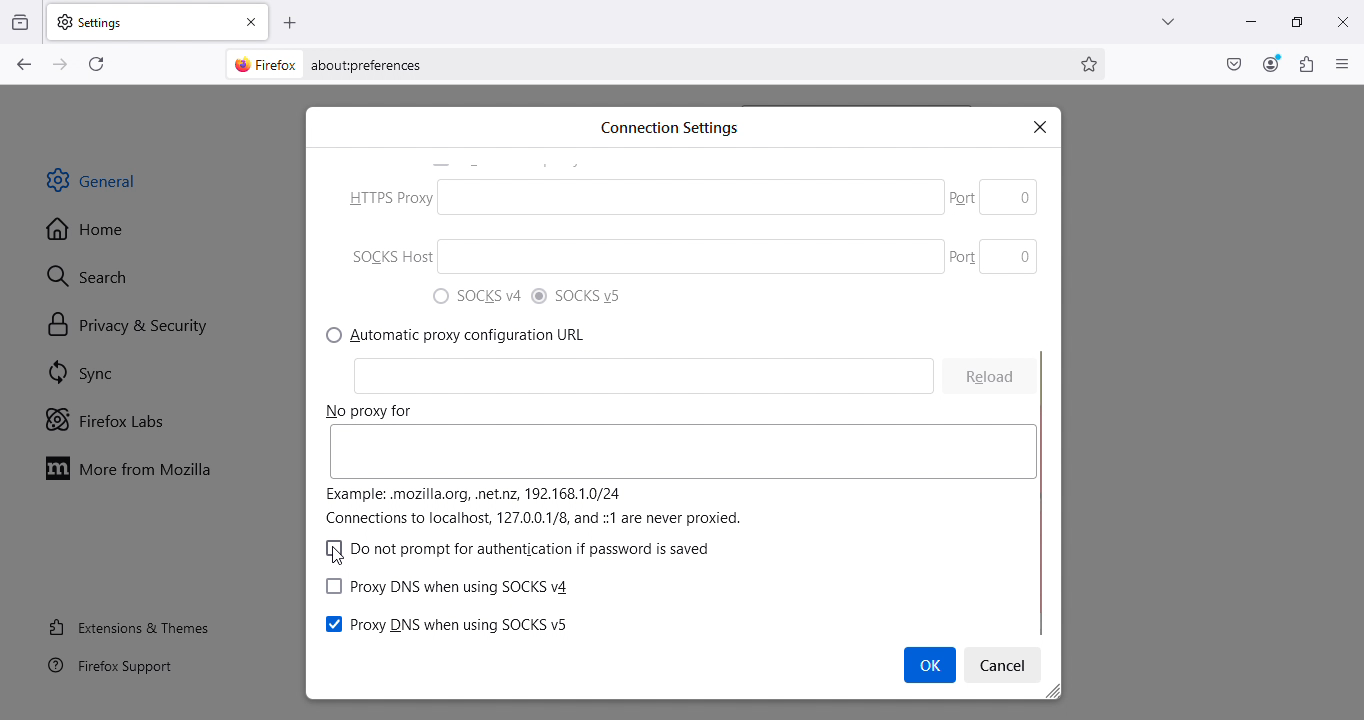 The width and height of the screenshot is (1364, 720). Describe the element at coordinates (1355, 88) in the screenshot. I see `move up` at that location.